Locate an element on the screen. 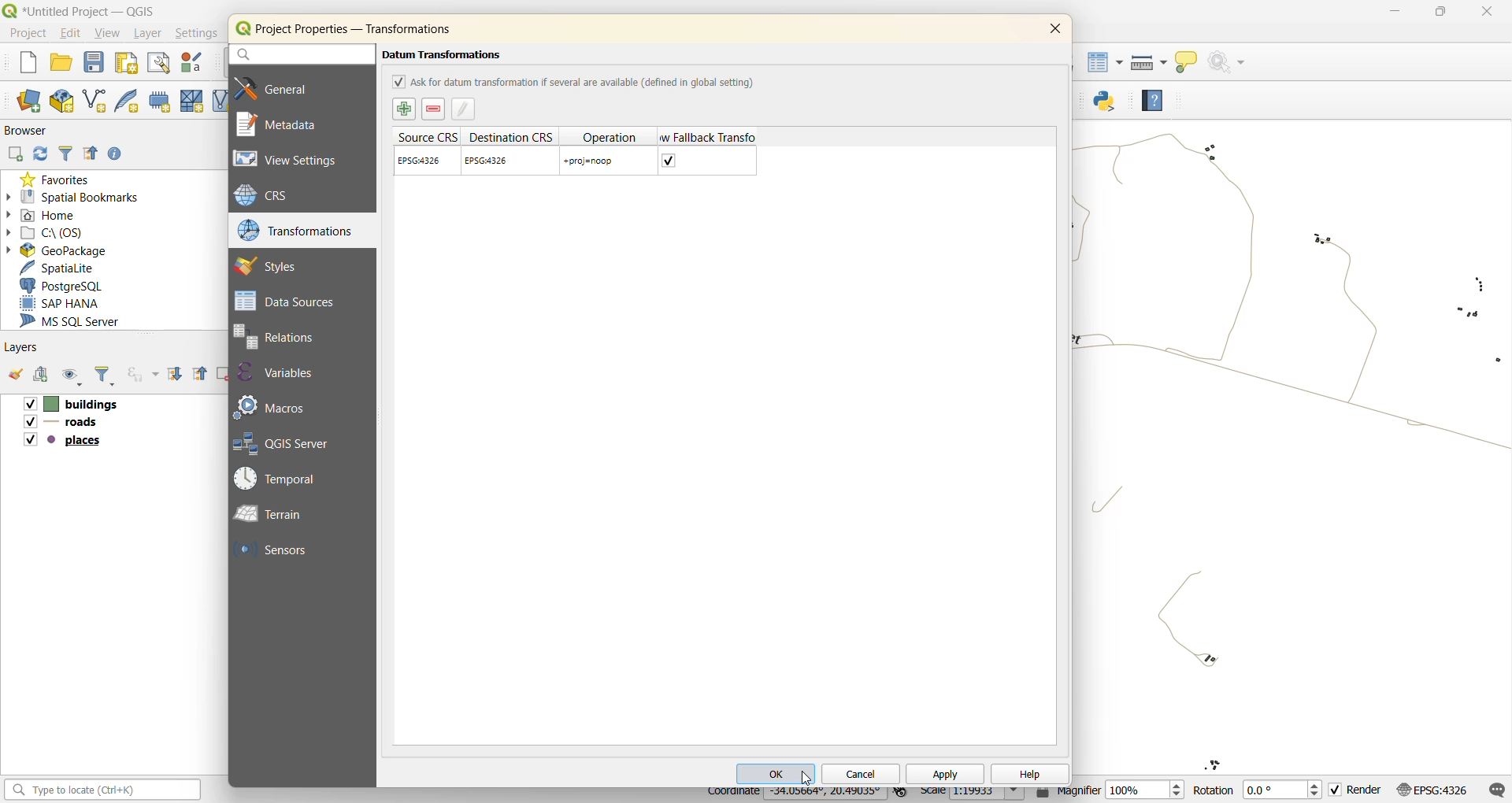 This screenshot has height=803, width=1512. logo is located at coordinates (9, 10).